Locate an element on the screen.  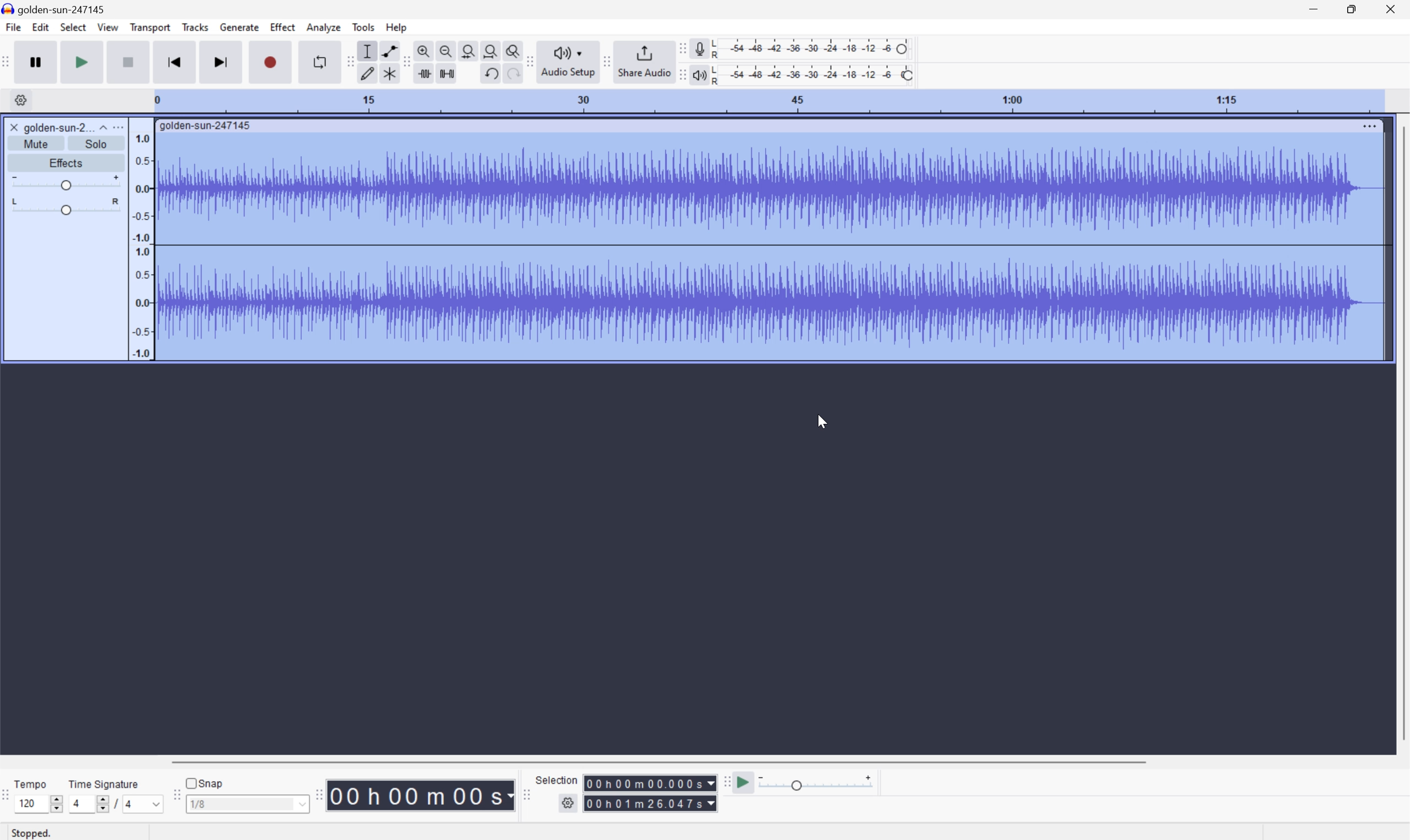
Help is located at coordinates (397, 26).